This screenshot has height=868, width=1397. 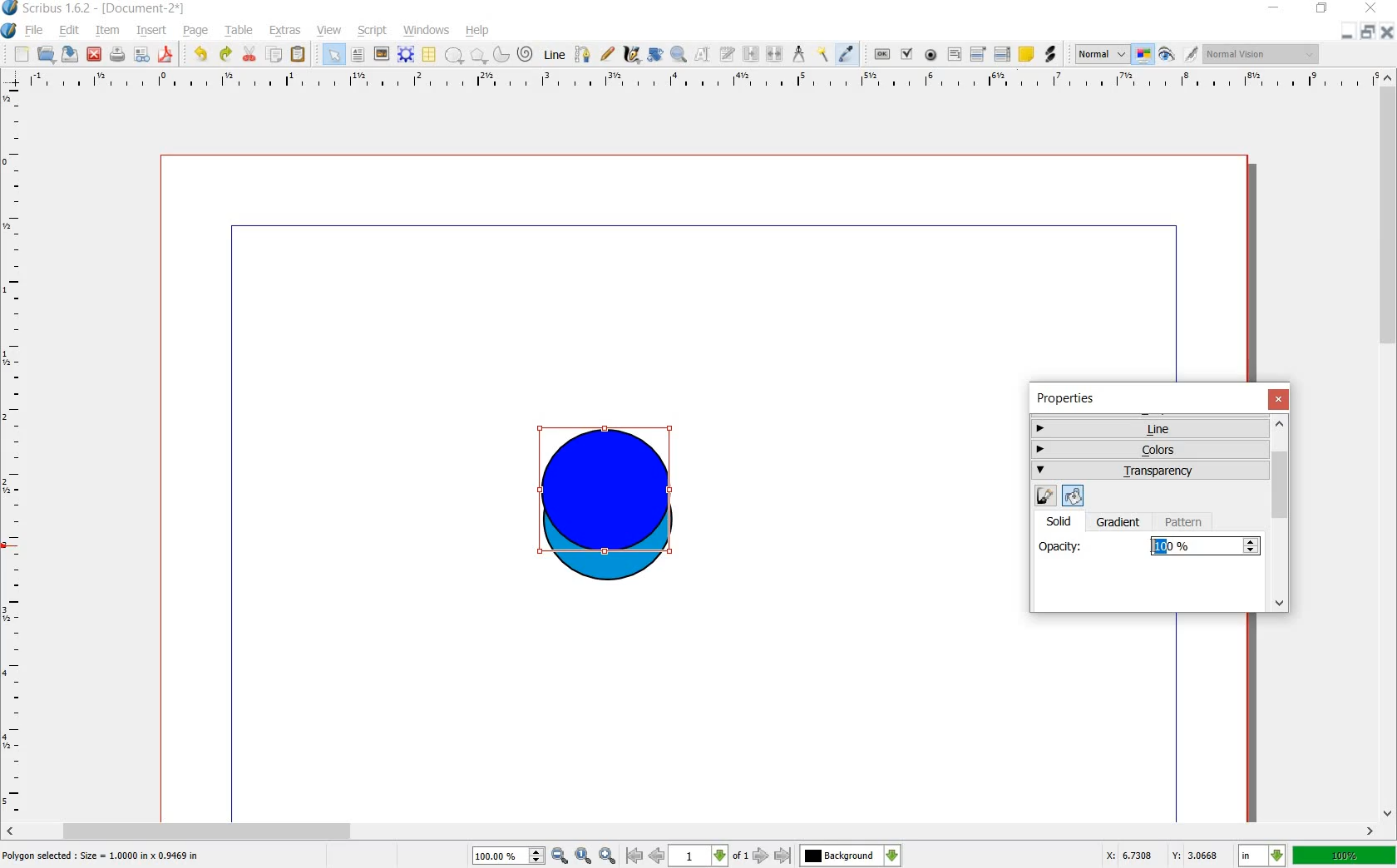 I want to click on edit fill color properties, so click(x=1071, y=495).